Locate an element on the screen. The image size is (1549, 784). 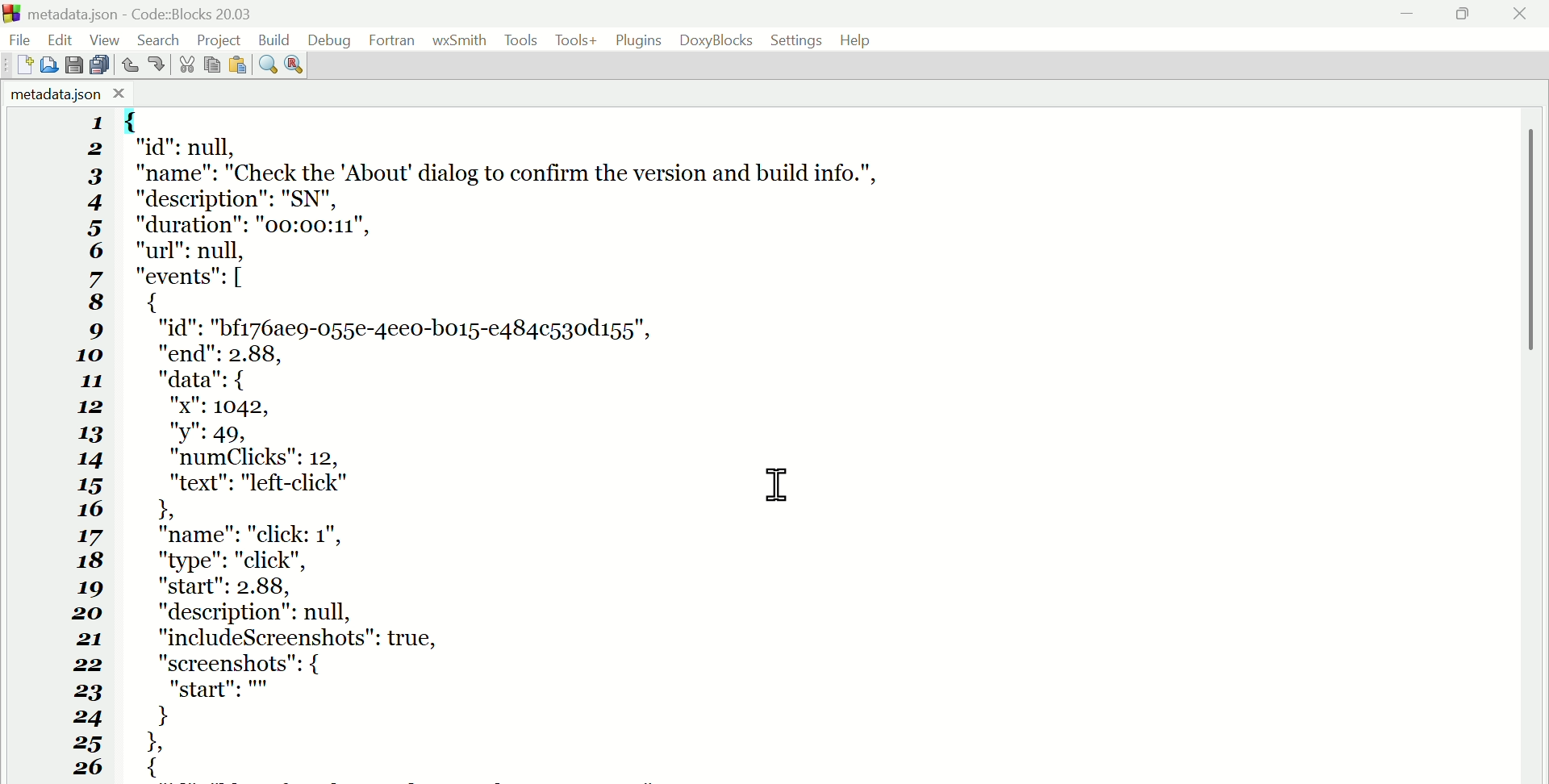
Search is located at coordinates (164, 38).